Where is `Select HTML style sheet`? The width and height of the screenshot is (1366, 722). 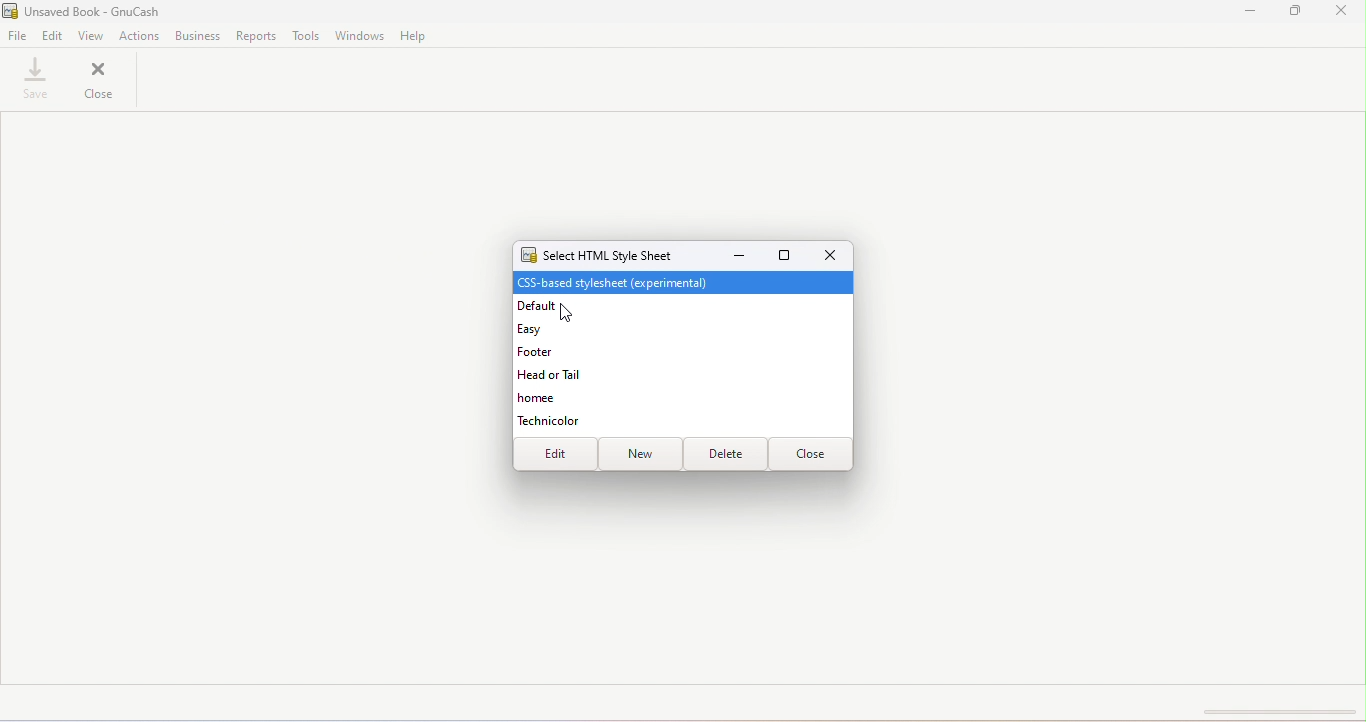
Select HTML style sheet is located at coordinates (602, 256).